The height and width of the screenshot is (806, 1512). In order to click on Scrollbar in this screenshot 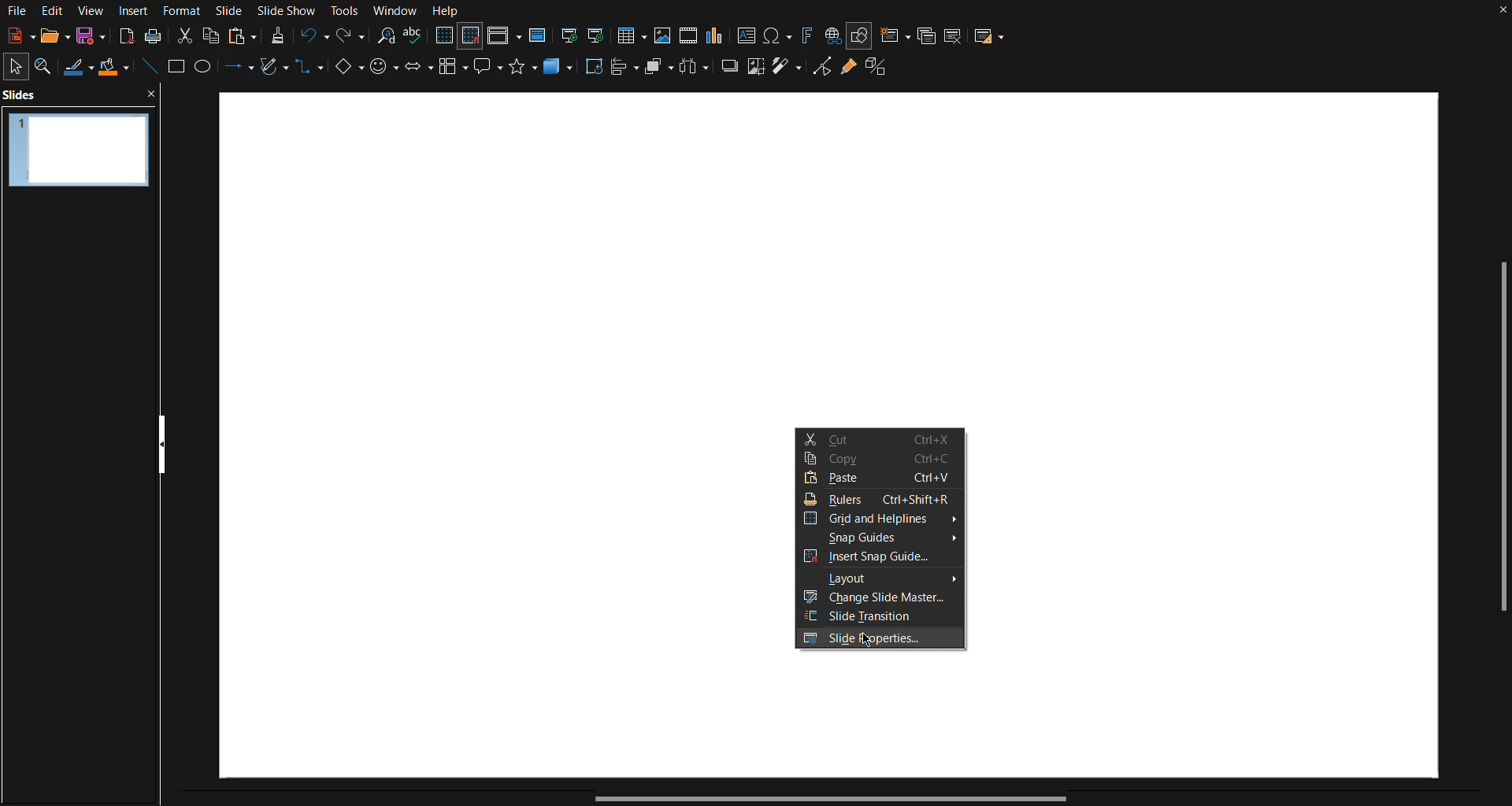, I will do `click(826, 799)`.